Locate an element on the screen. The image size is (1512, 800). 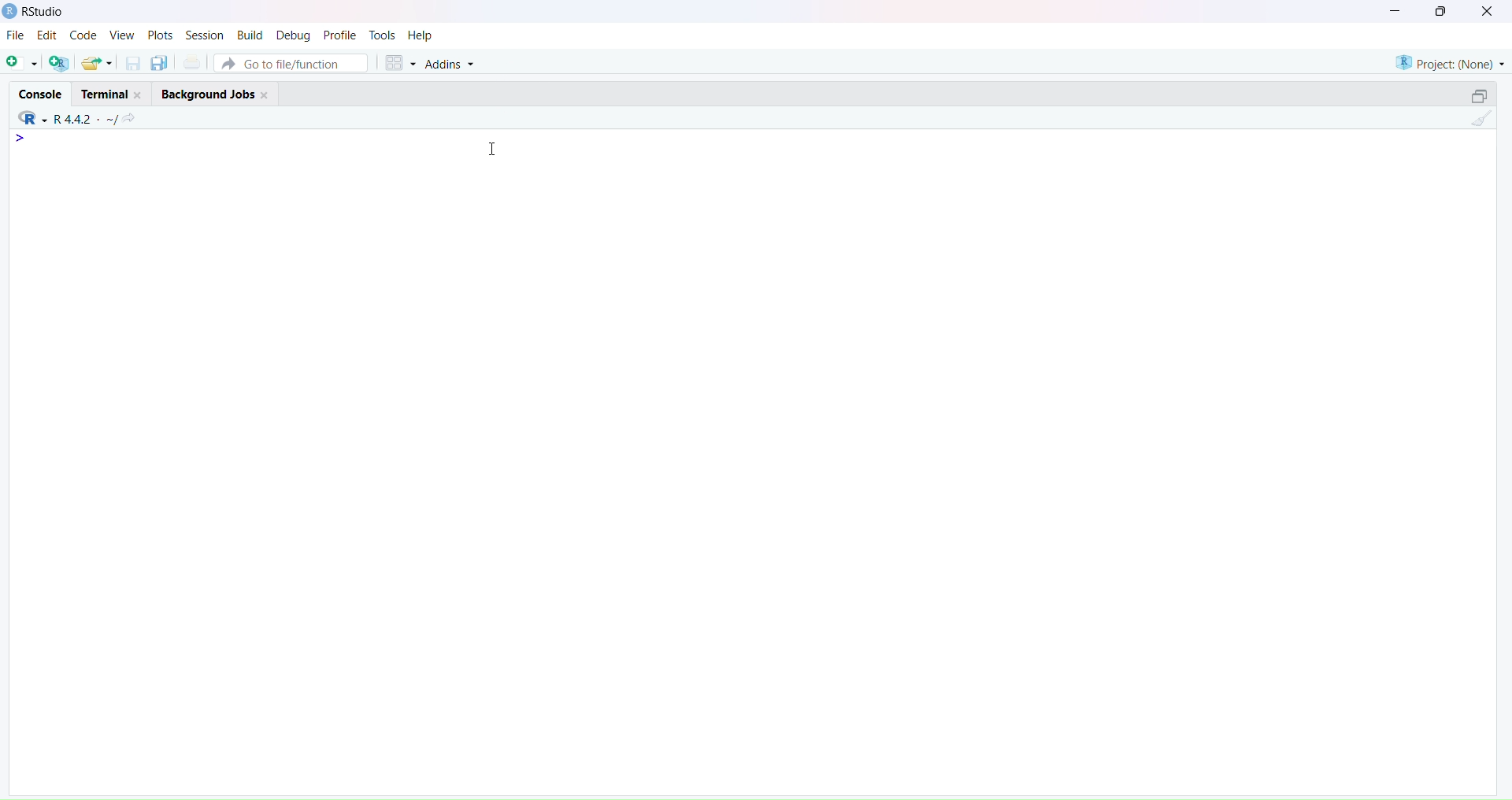
Rstudio is located at coordinates (36, 12).